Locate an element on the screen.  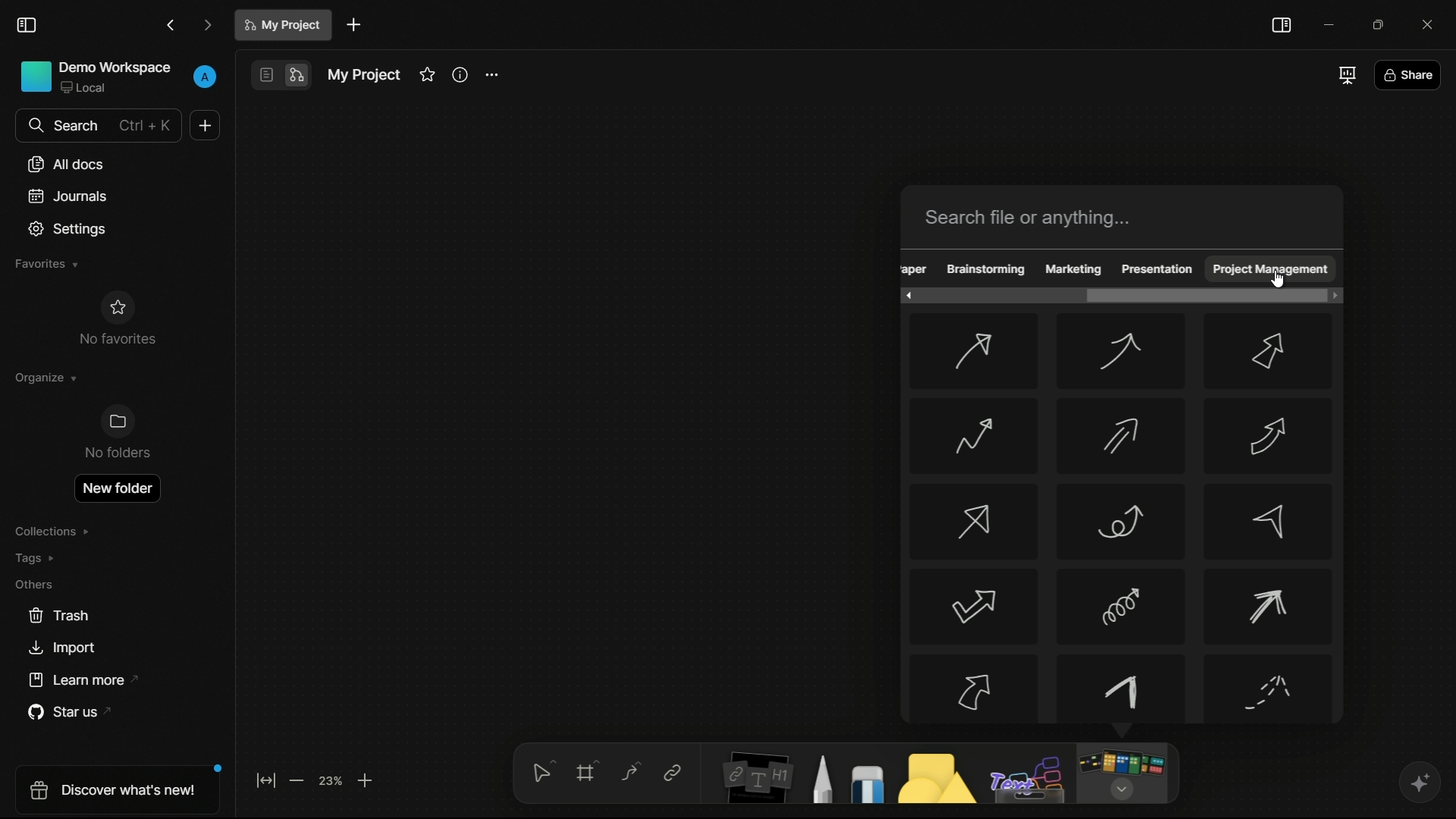
search bar is located at coordinates (97, 125).